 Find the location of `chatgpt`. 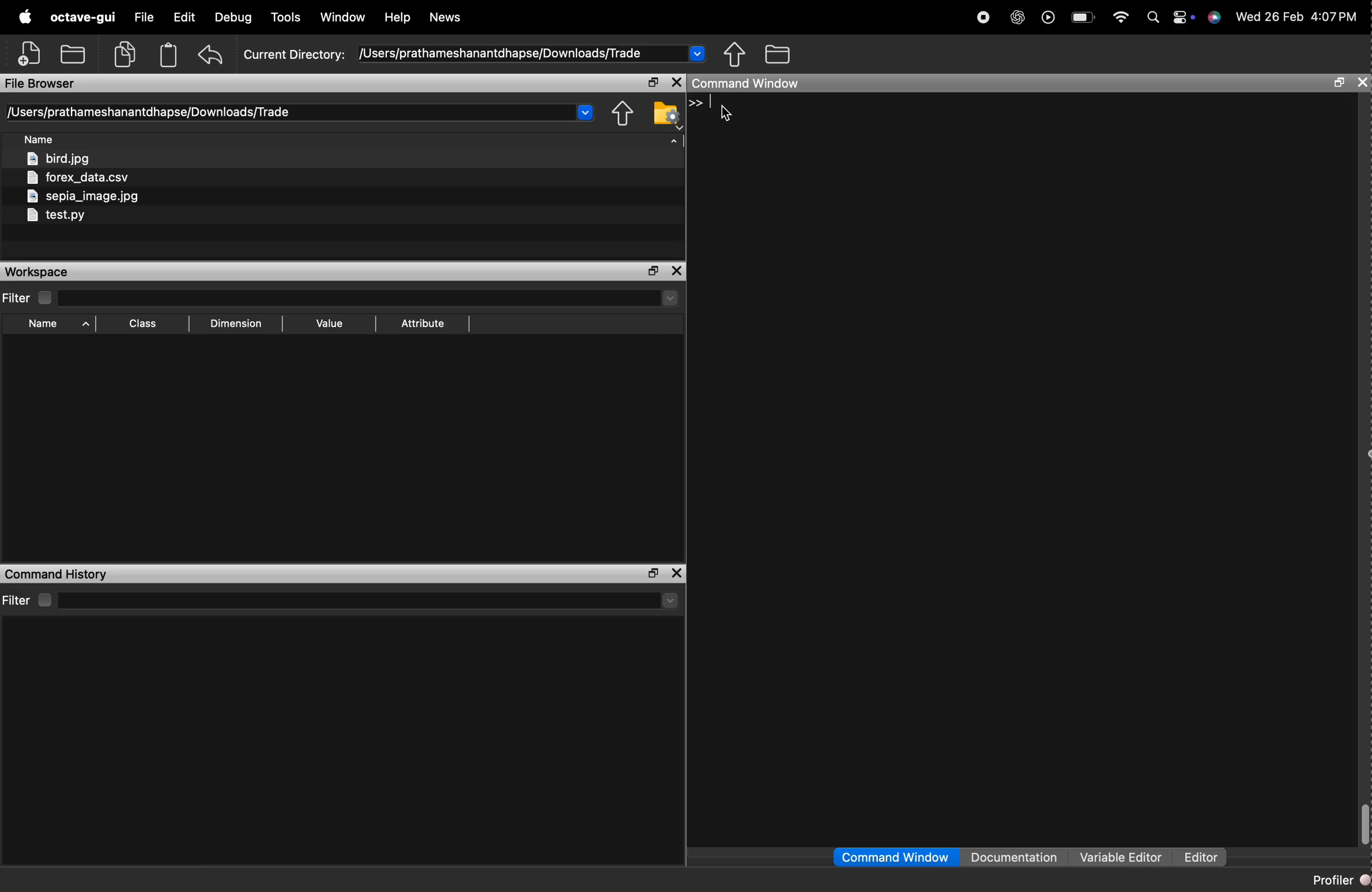

chatgpt is located at coordinates (1017, 18).